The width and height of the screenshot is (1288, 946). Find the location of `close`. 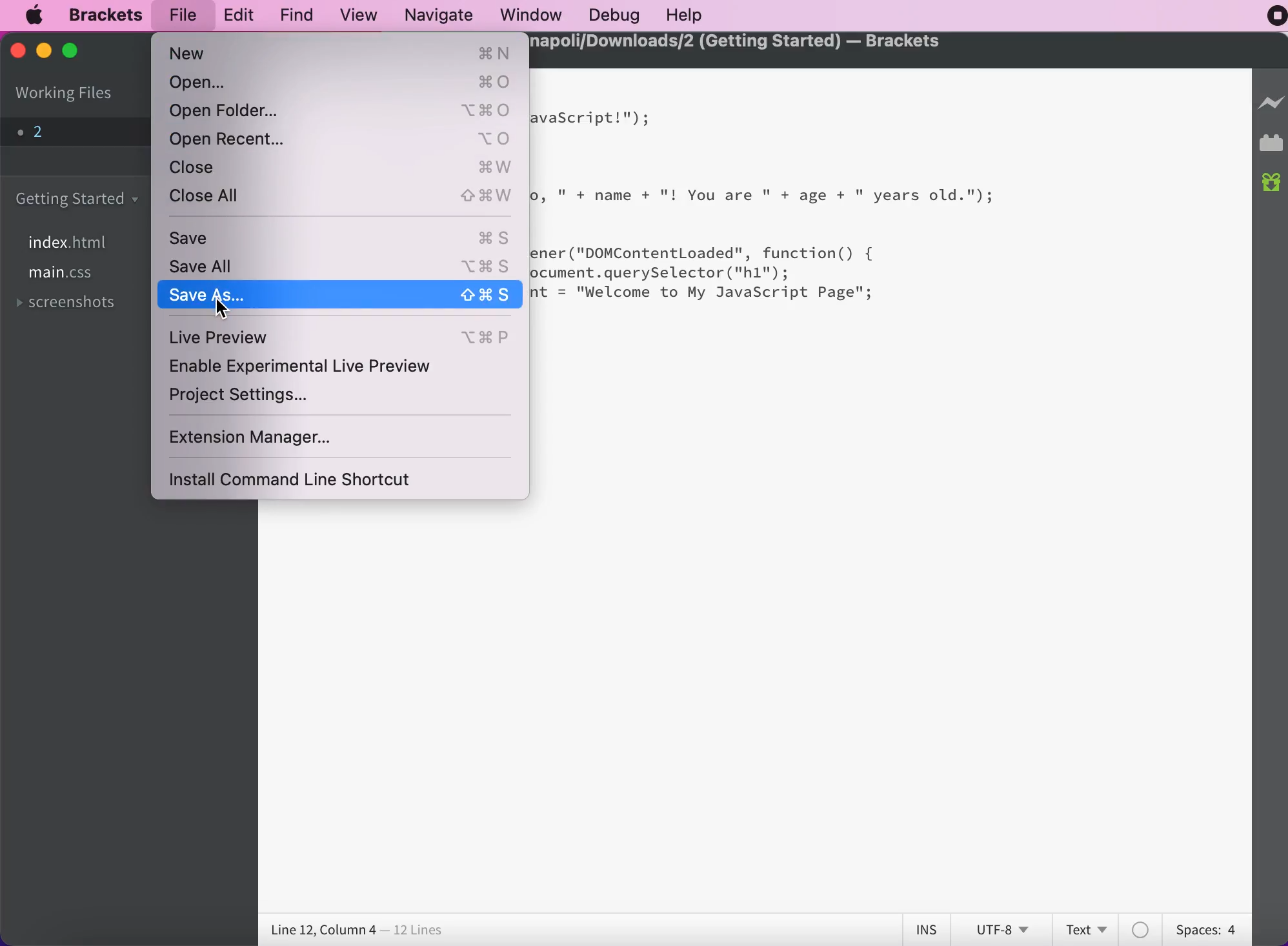

close is located at coordinates (342, 166).